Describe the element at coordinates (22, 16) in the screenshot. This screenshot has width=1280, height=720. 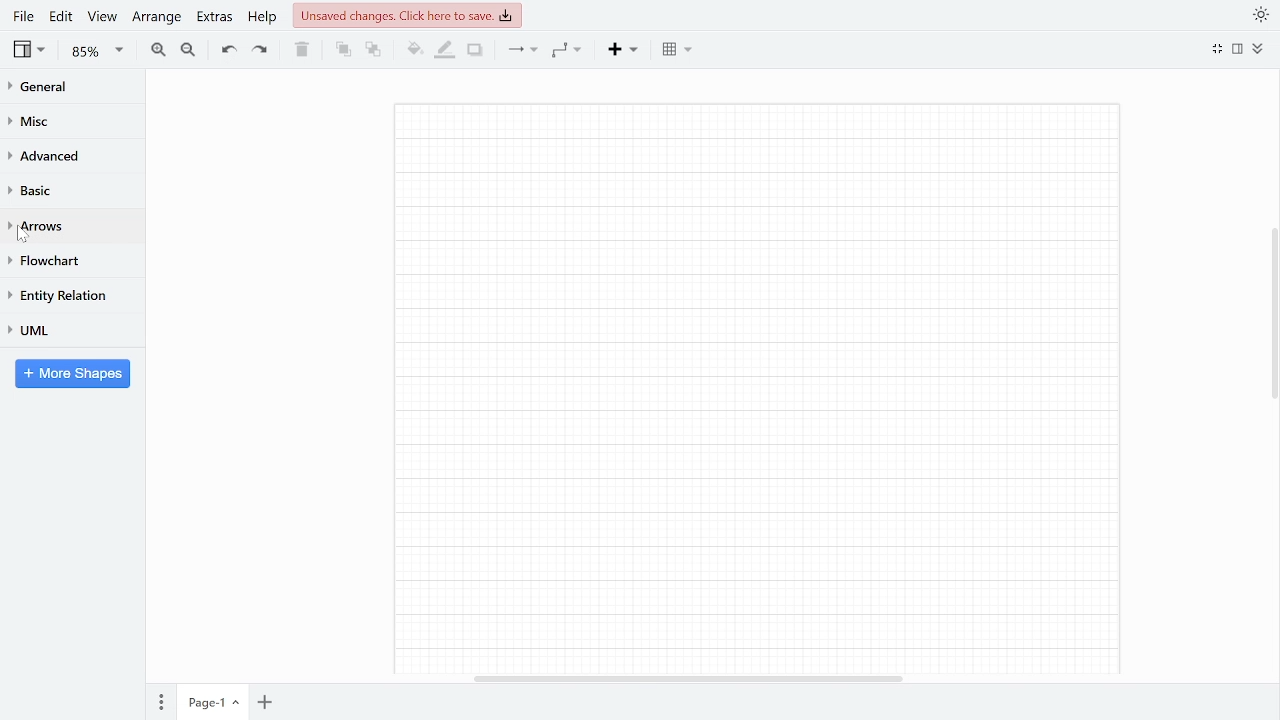
I see `File` at that location.